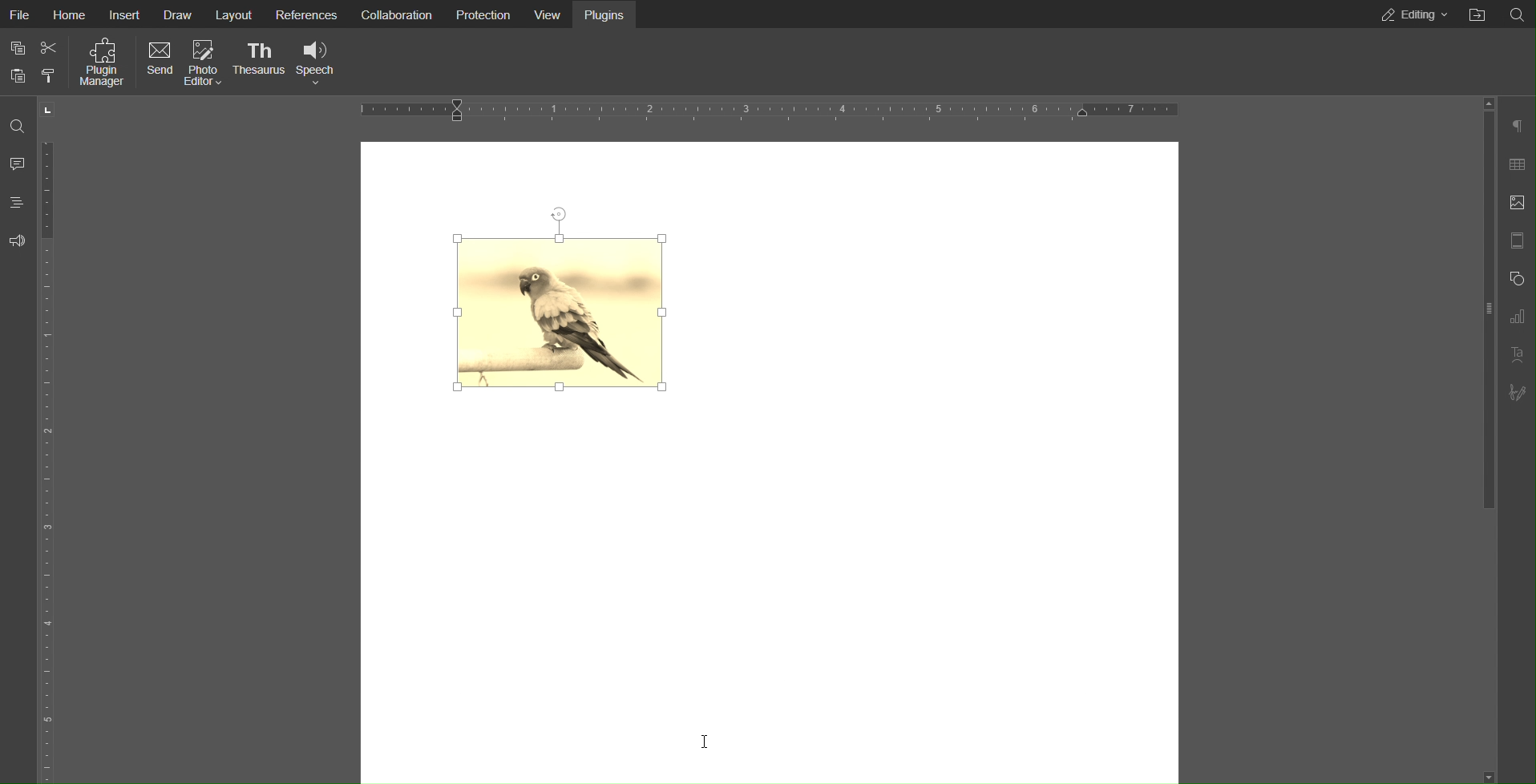 The width and height of the screenshot is (1536, 784). I want to click on Signature, so click(1517, 394).